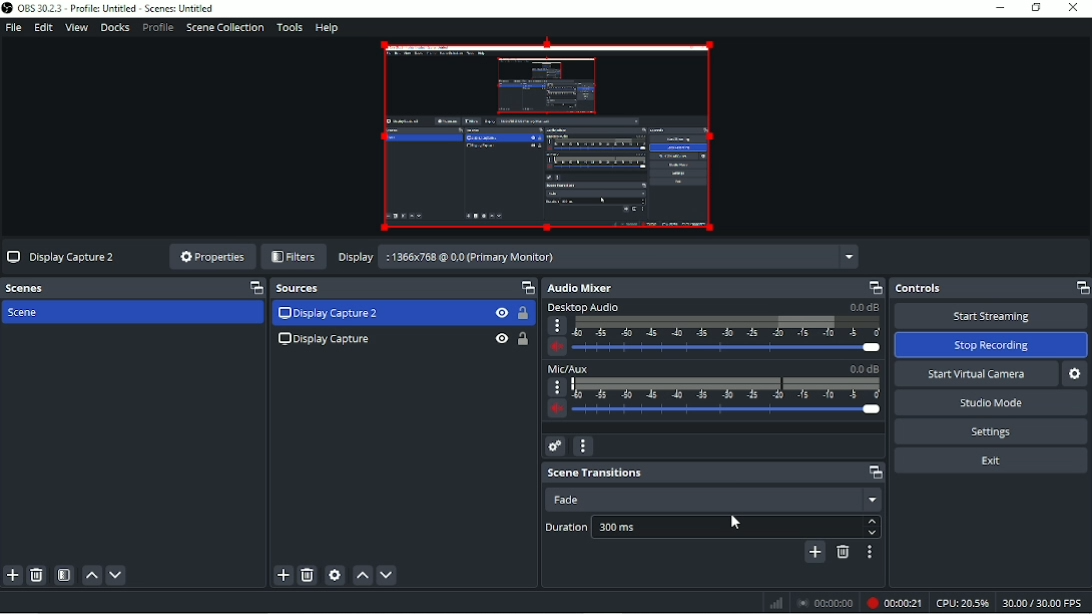 This screenshot has width=1092, height=614. I want to click on Scene transitions, so click(715, 473).